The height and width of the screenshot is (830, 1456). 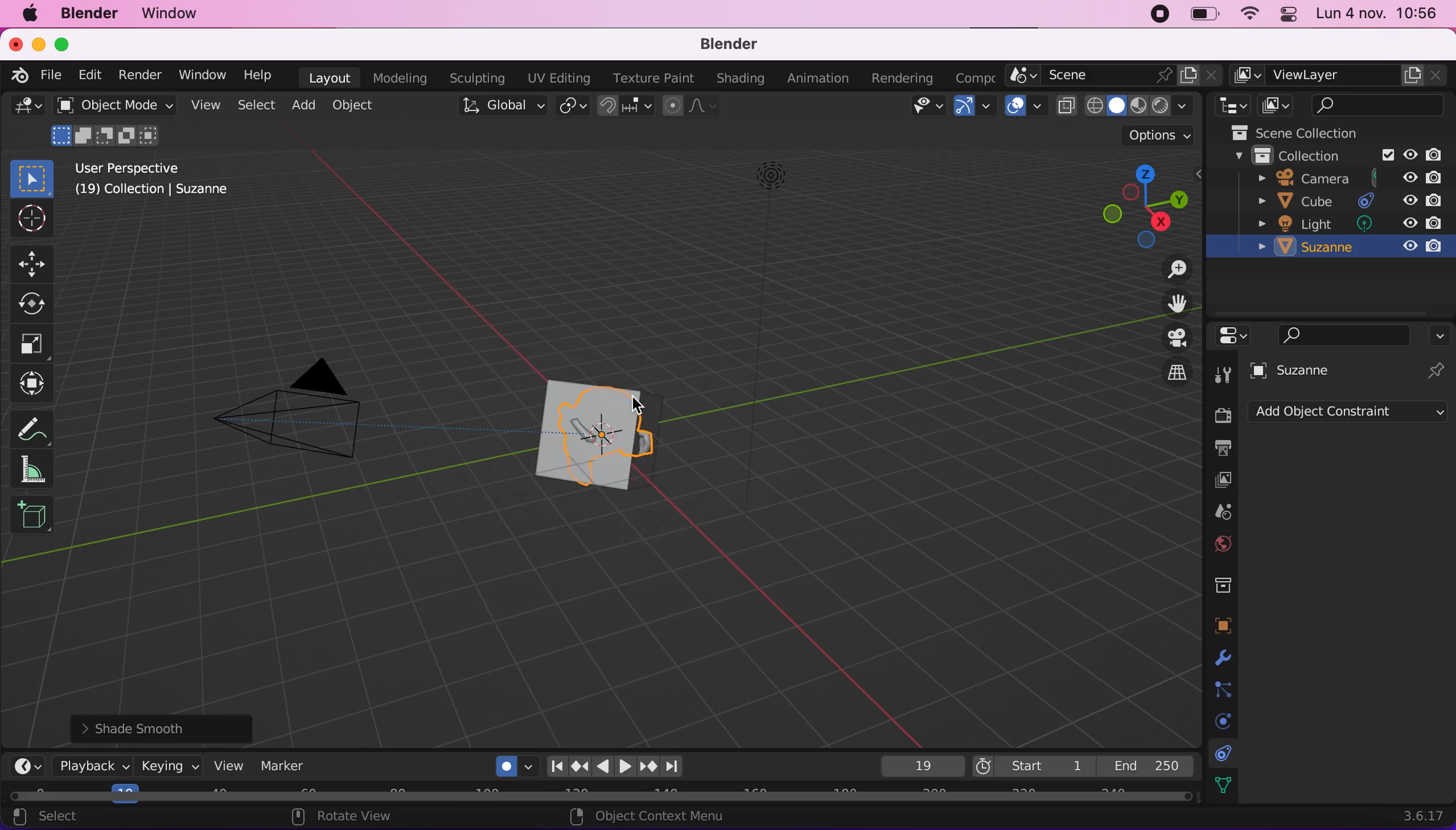 I want to click on window, so click(x=170, y=14).